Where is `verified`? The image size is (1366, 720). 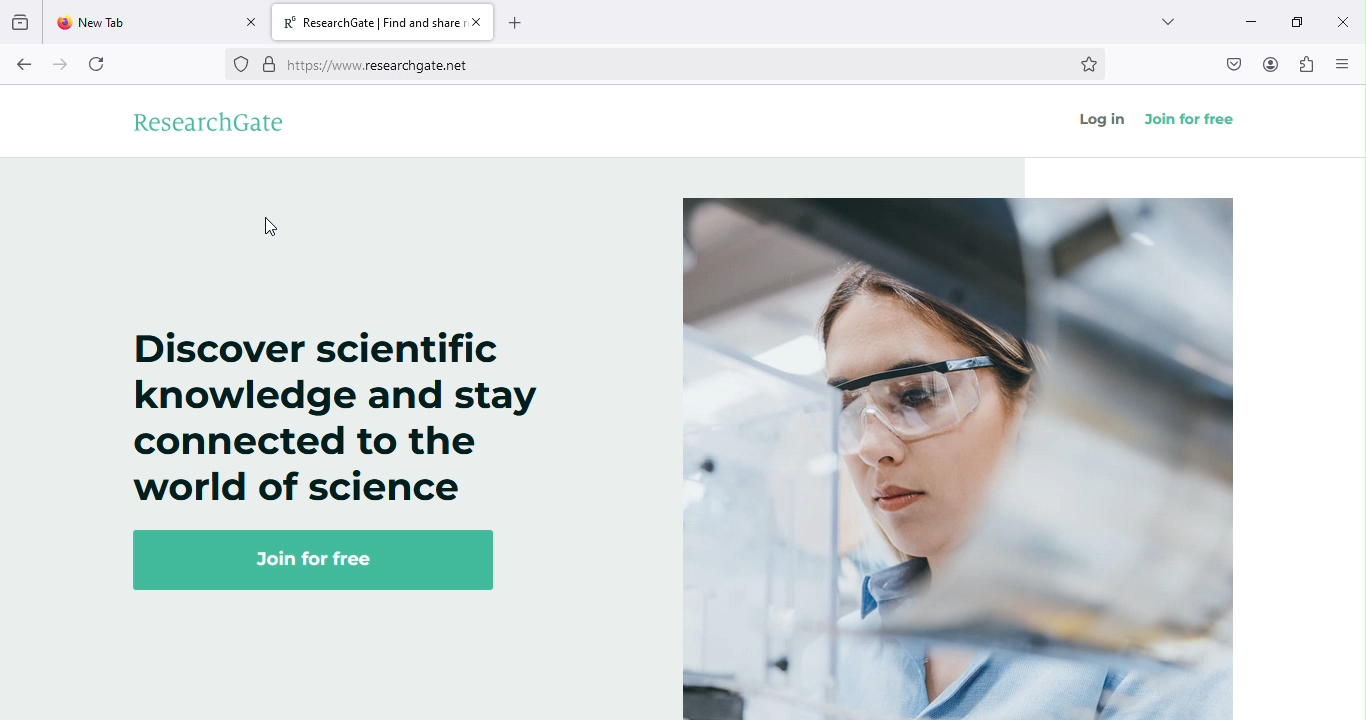
verified is located at coordinates (271, 64).